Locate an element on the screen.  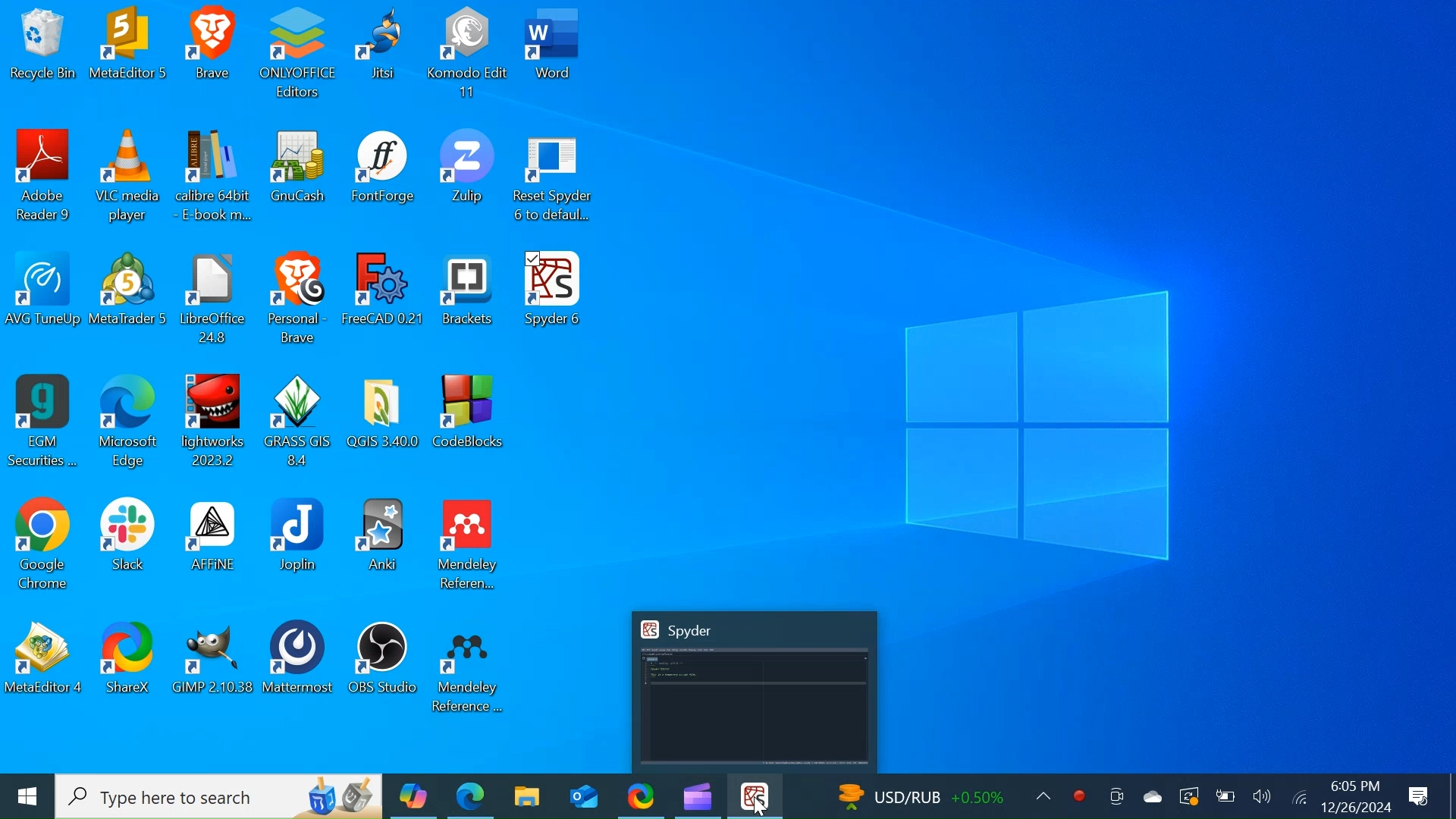
Sharex Desktop Icon is located at coordinates (641, 795).